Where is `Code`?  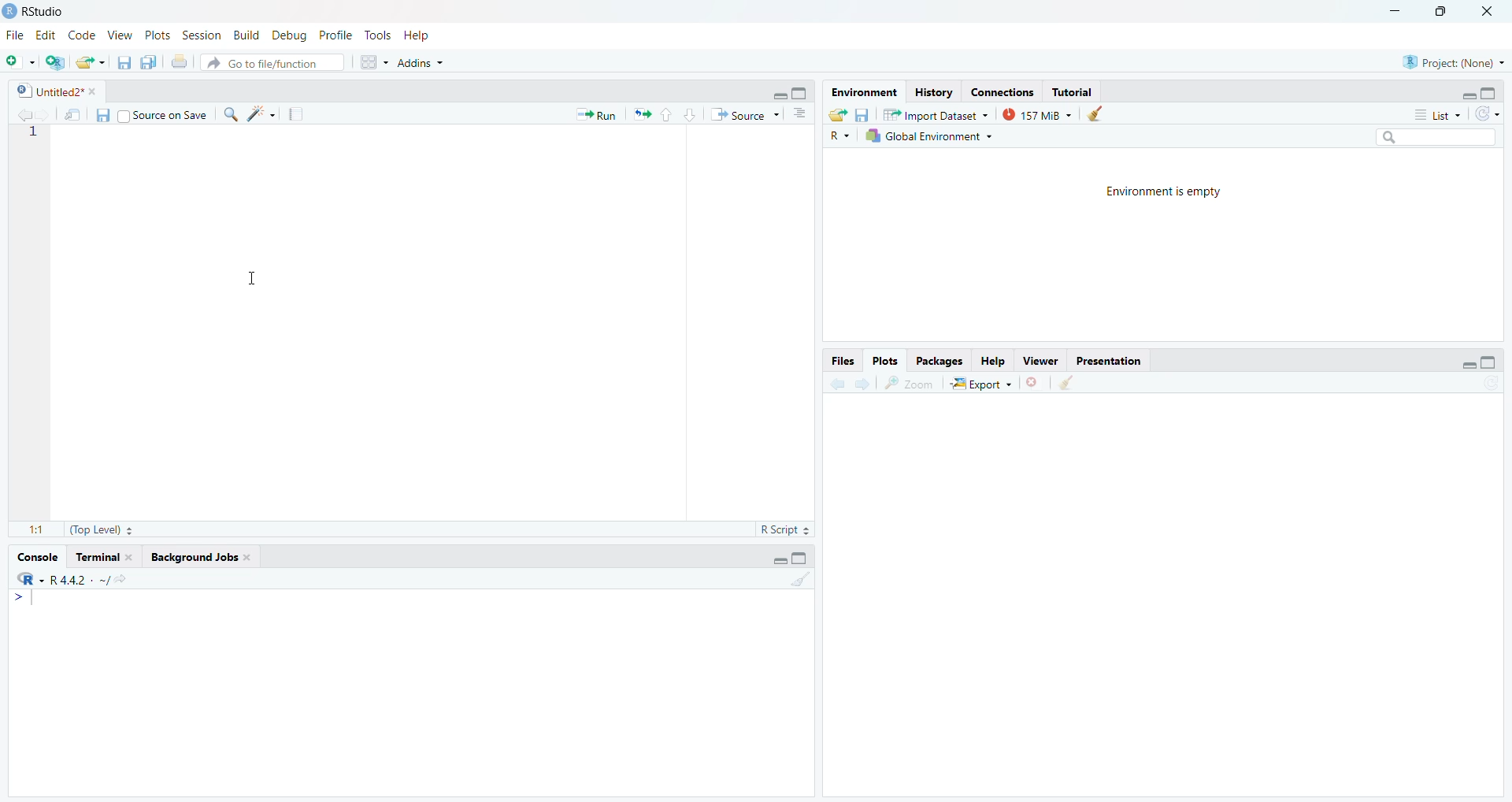
Code is located at coordinates (80, 33).